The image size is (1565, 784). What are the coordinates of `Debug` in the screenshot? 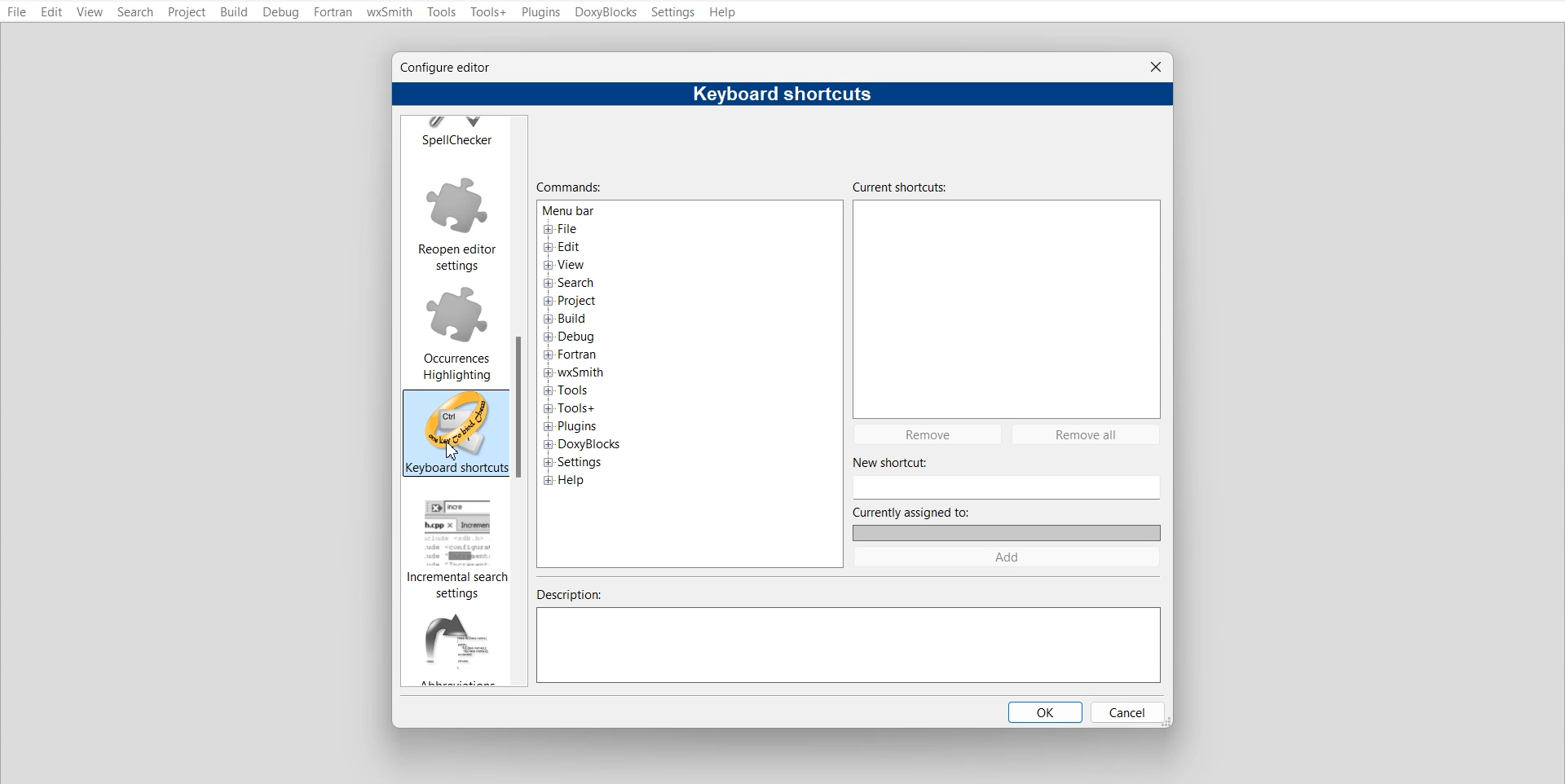 It's located at (280, 12).